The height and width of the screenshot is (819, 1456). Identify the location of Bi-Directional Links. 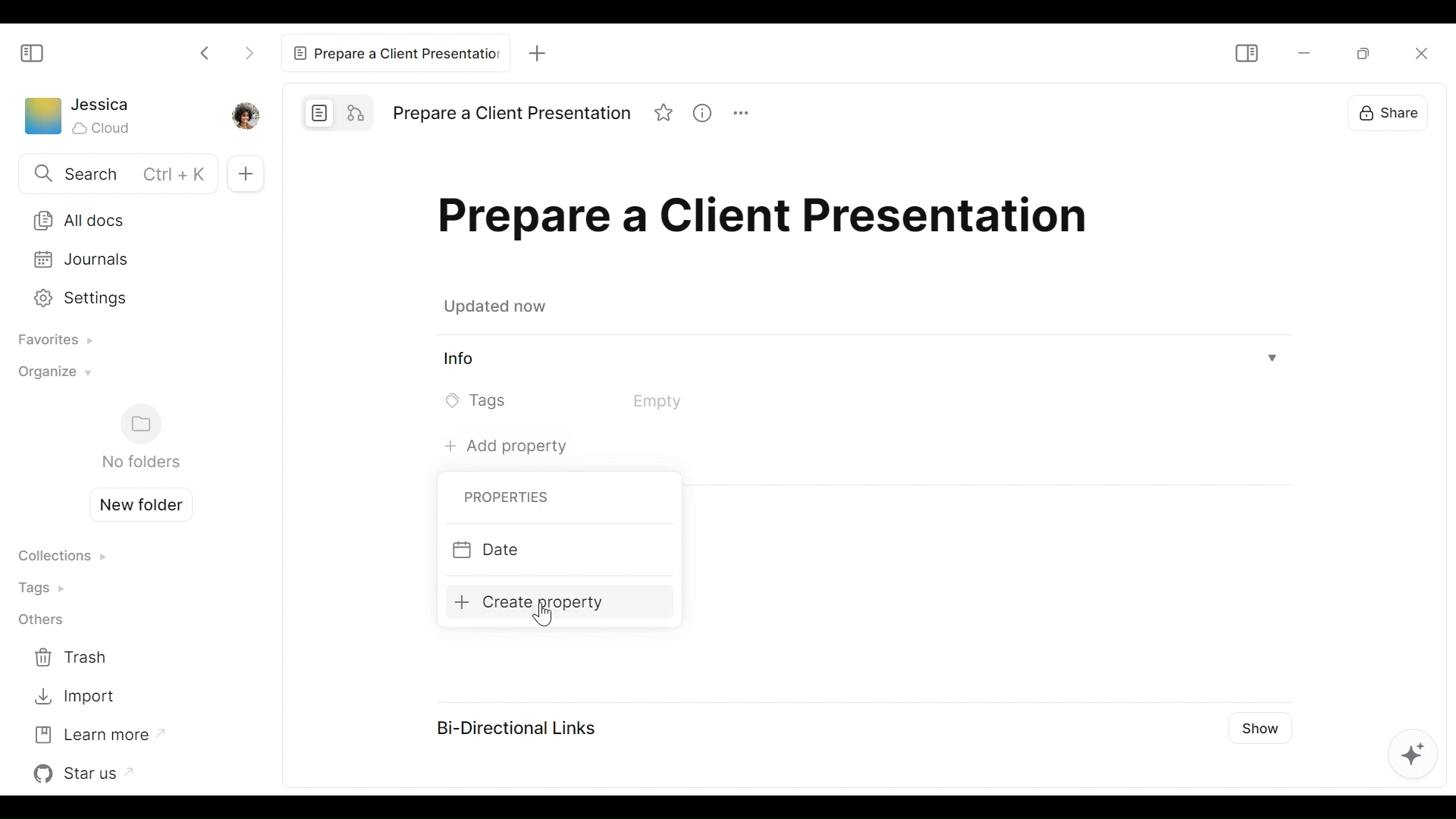
(513, 726).